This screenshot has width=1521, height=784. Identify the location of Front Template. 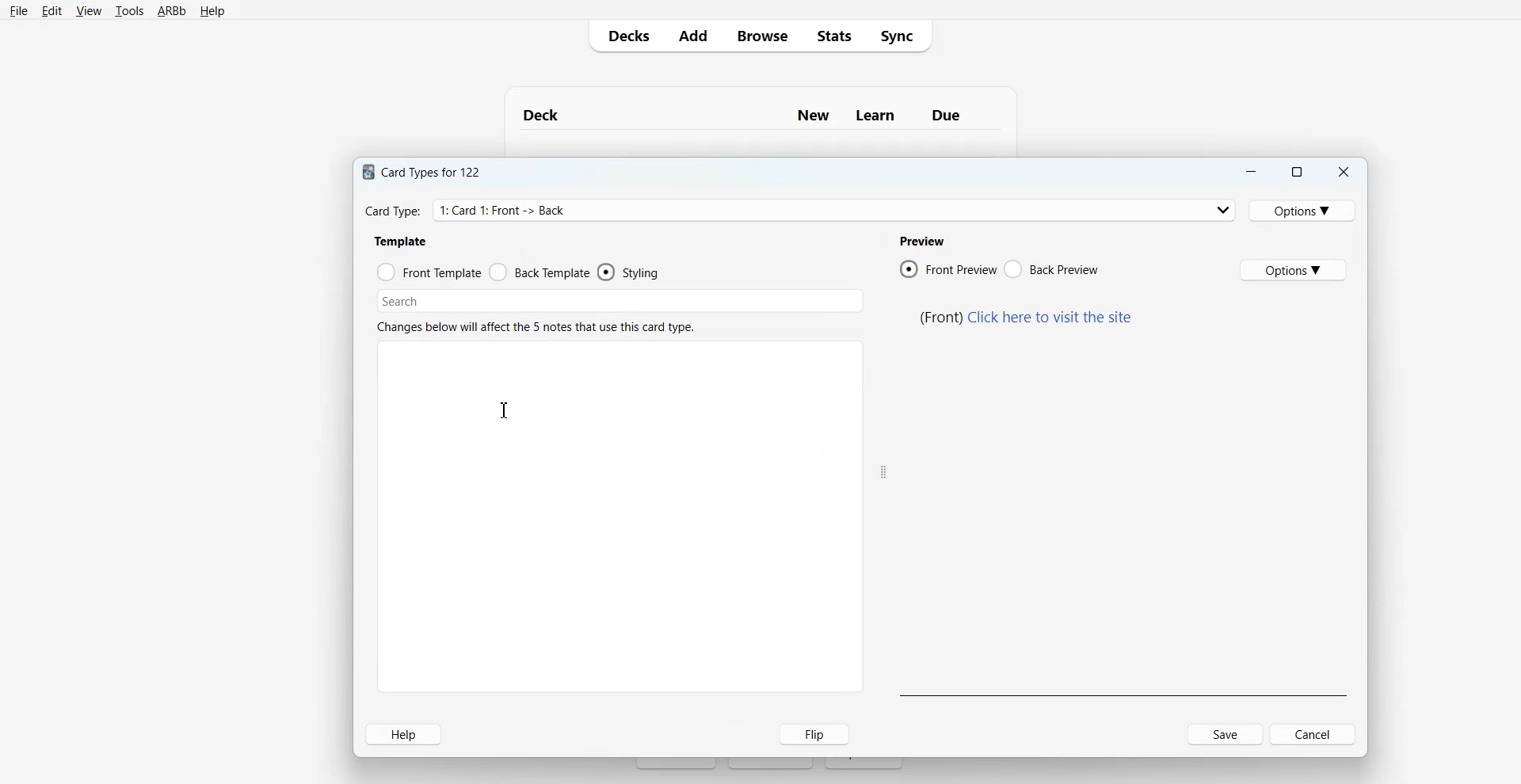
(540, 272).